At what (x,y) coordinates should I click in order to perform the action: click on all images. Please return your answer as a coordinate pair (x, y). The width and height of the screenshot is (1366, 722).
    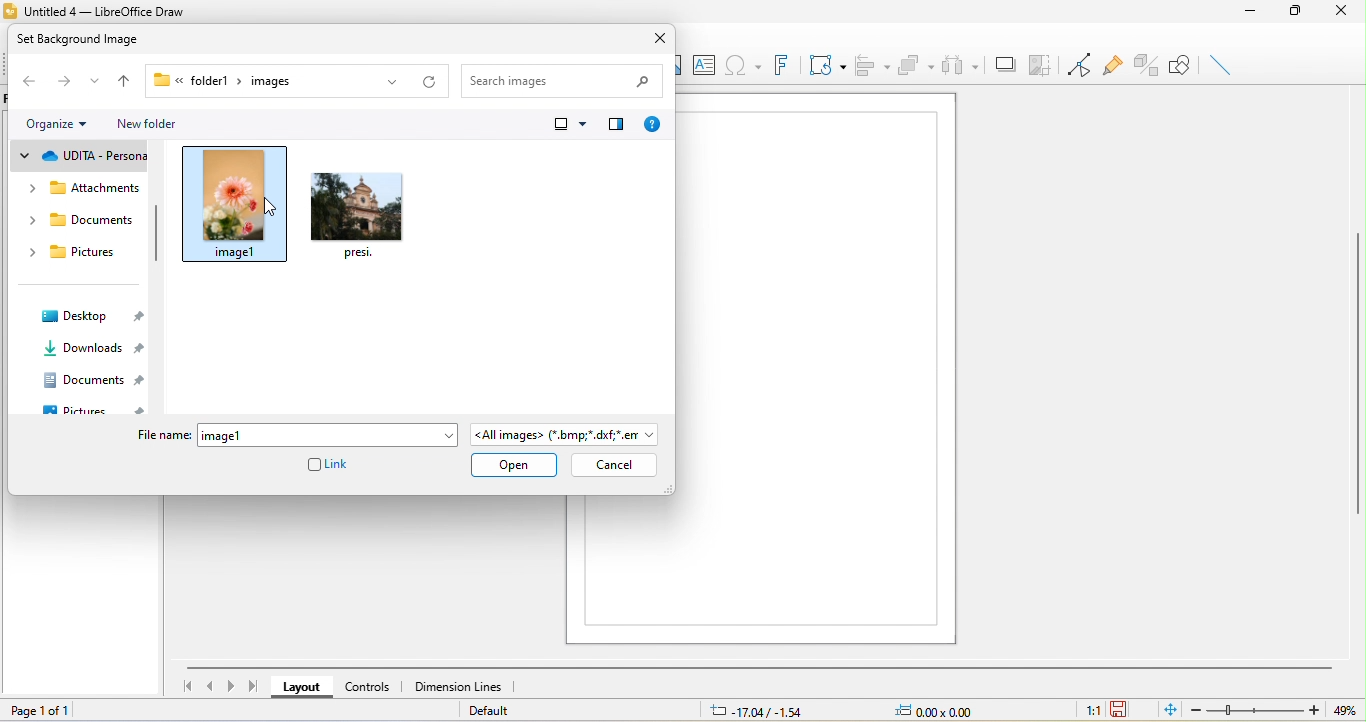
    Looking at the image, I should click on (567, 432).